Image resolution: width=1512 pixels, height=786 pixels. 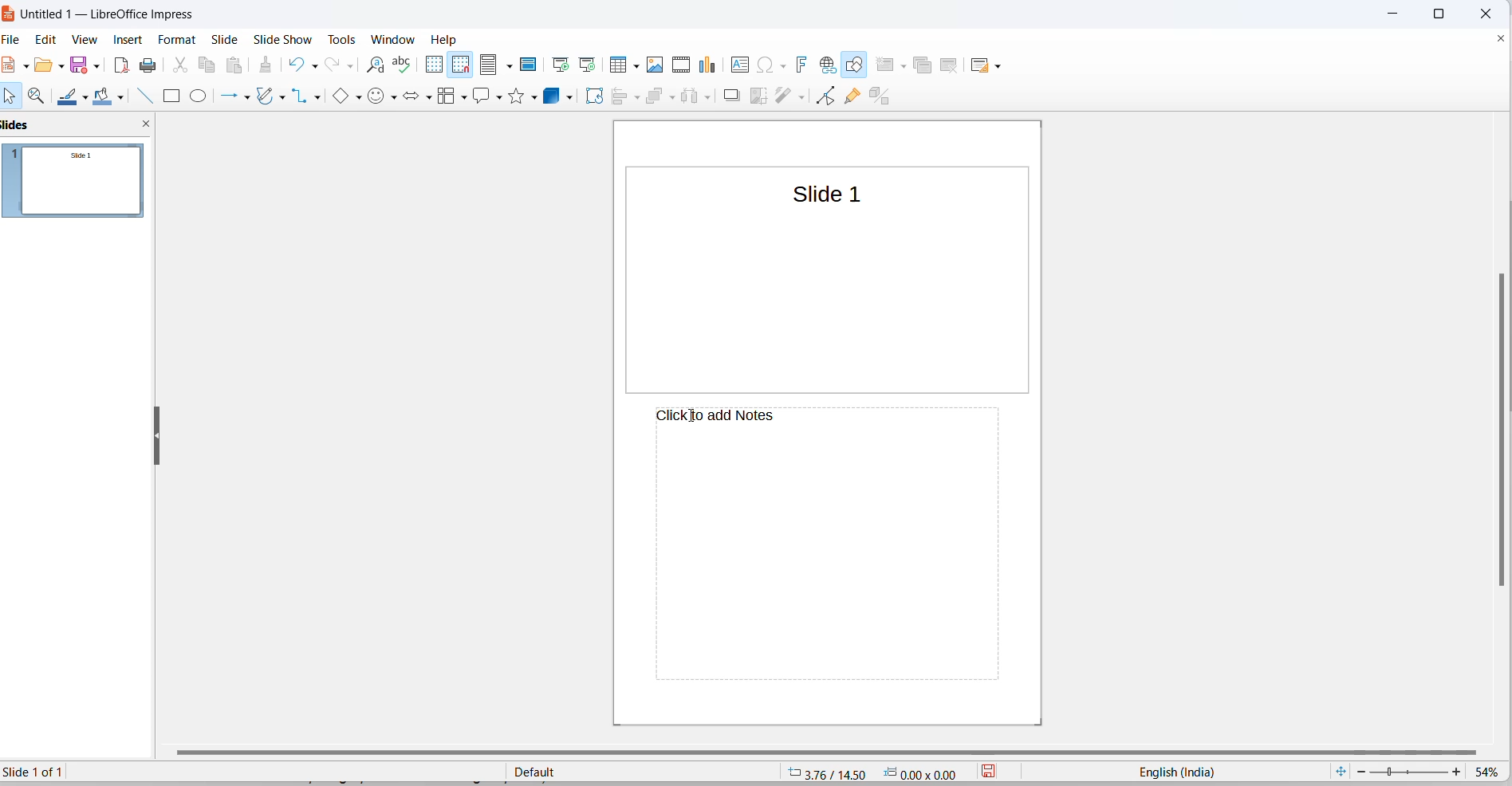 What do you see at coordinates (586, 64) in the screenshot?
I see `start from current slide` at bounding box center [586, 64].